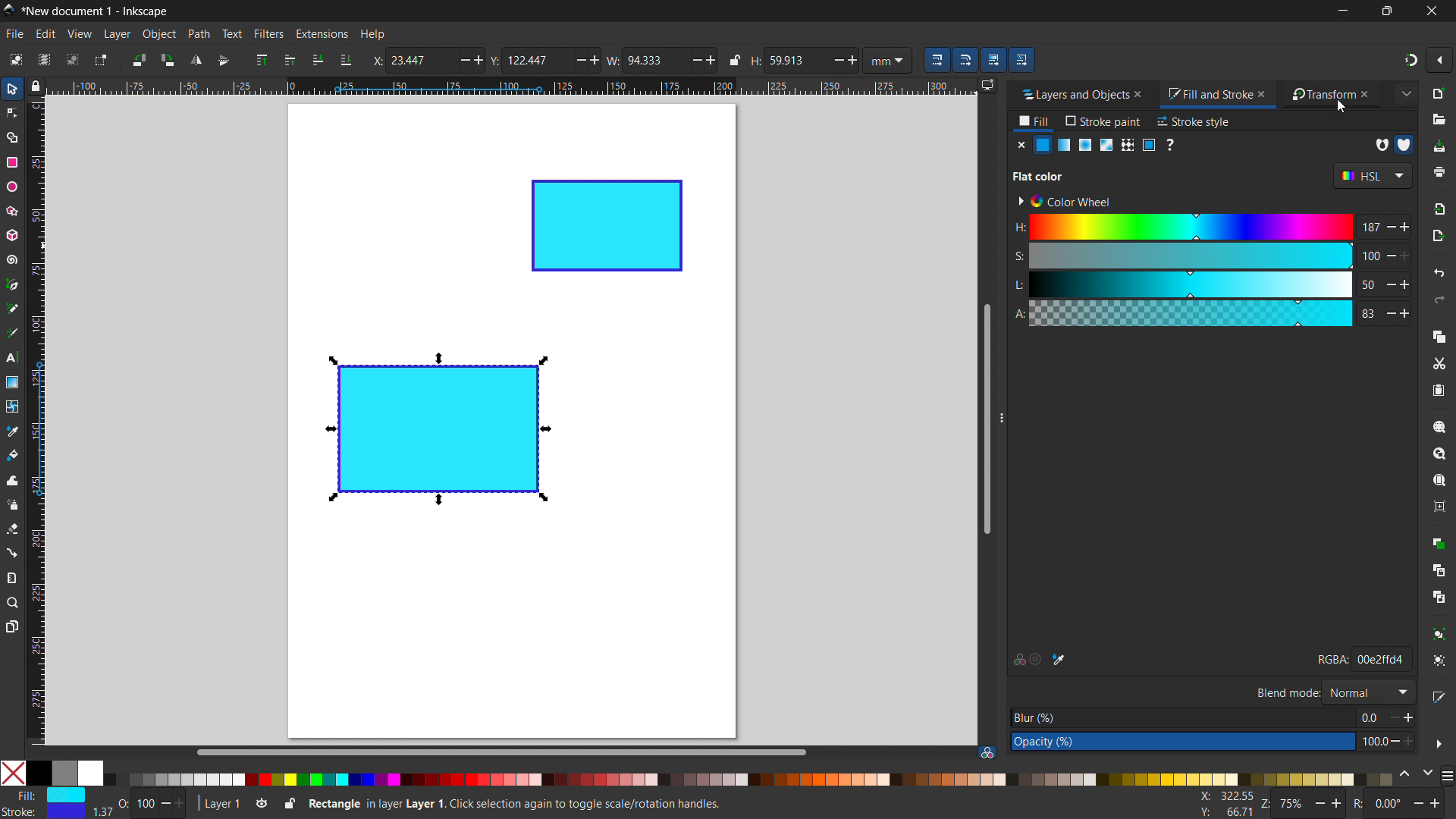 The width and height of the screenshot is (1456, 819). What do you see at coordinates (1439, 453) in the screenshot?
I see `zoom drawing` at bounding box center [1439, 453].